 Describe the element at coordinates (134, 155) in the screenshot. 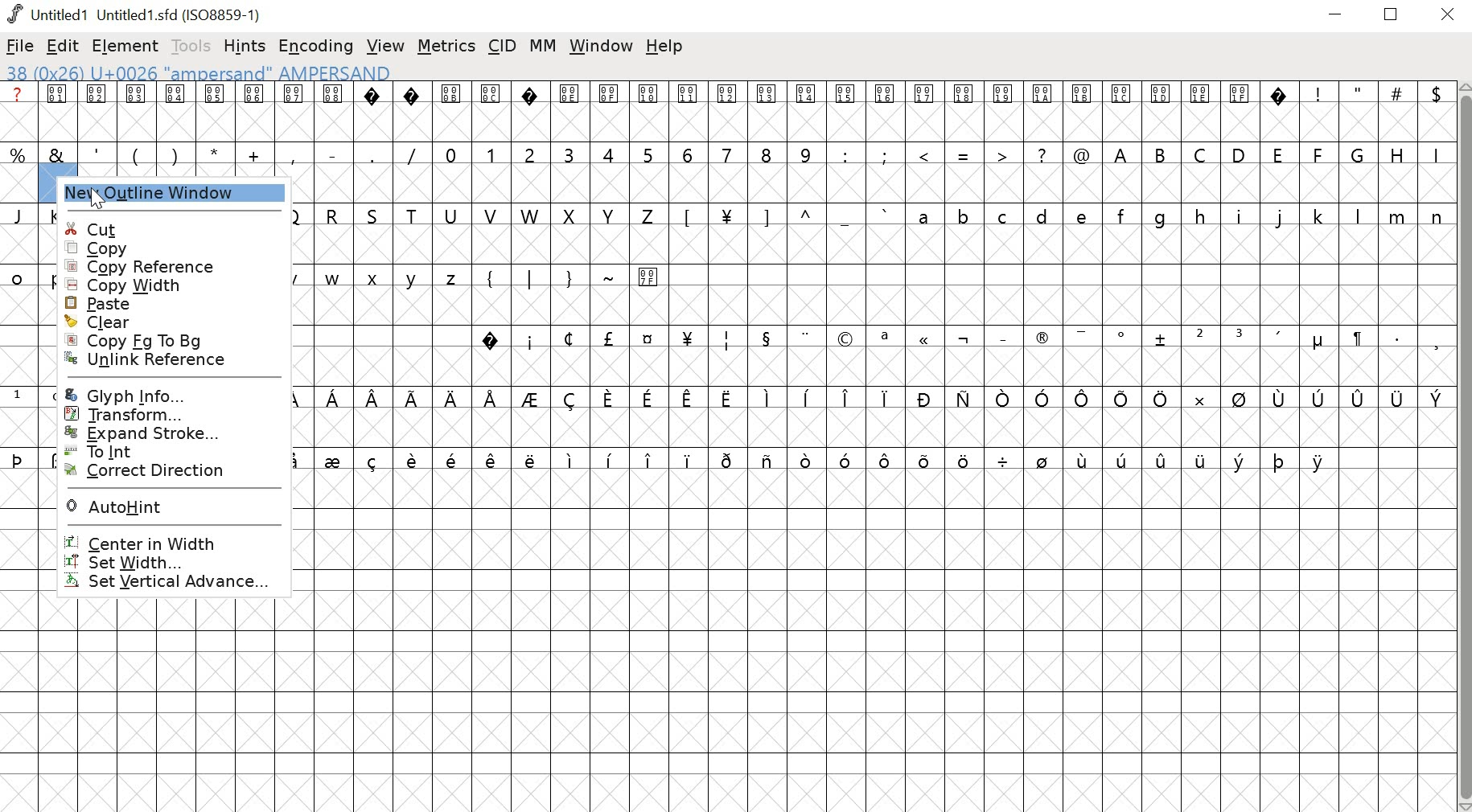

I see `(` at that location.